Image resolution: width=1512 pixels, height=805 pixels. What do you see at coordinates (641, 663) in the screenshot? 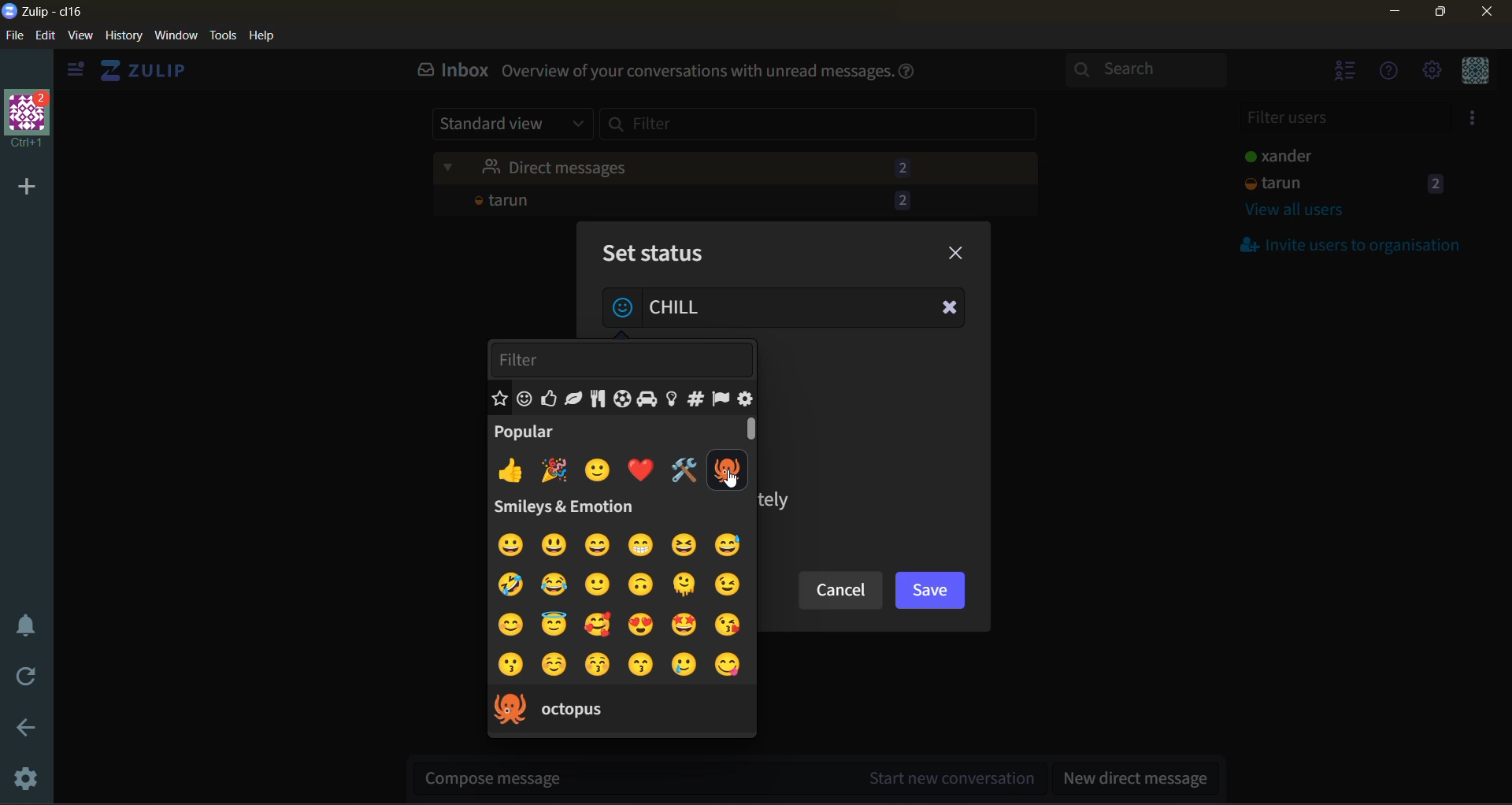
I see `emoji` at bounding box center [641, 663].